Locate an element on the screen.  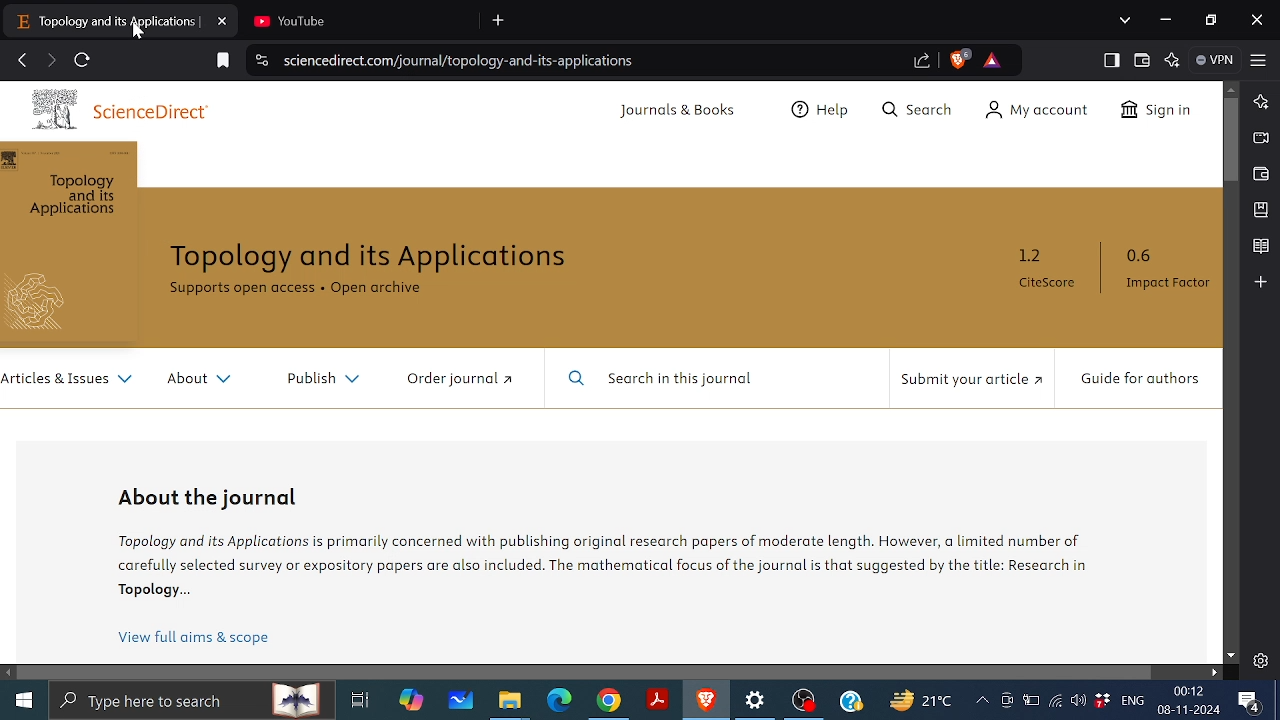
Leo is located at coordinates (1262, 100).